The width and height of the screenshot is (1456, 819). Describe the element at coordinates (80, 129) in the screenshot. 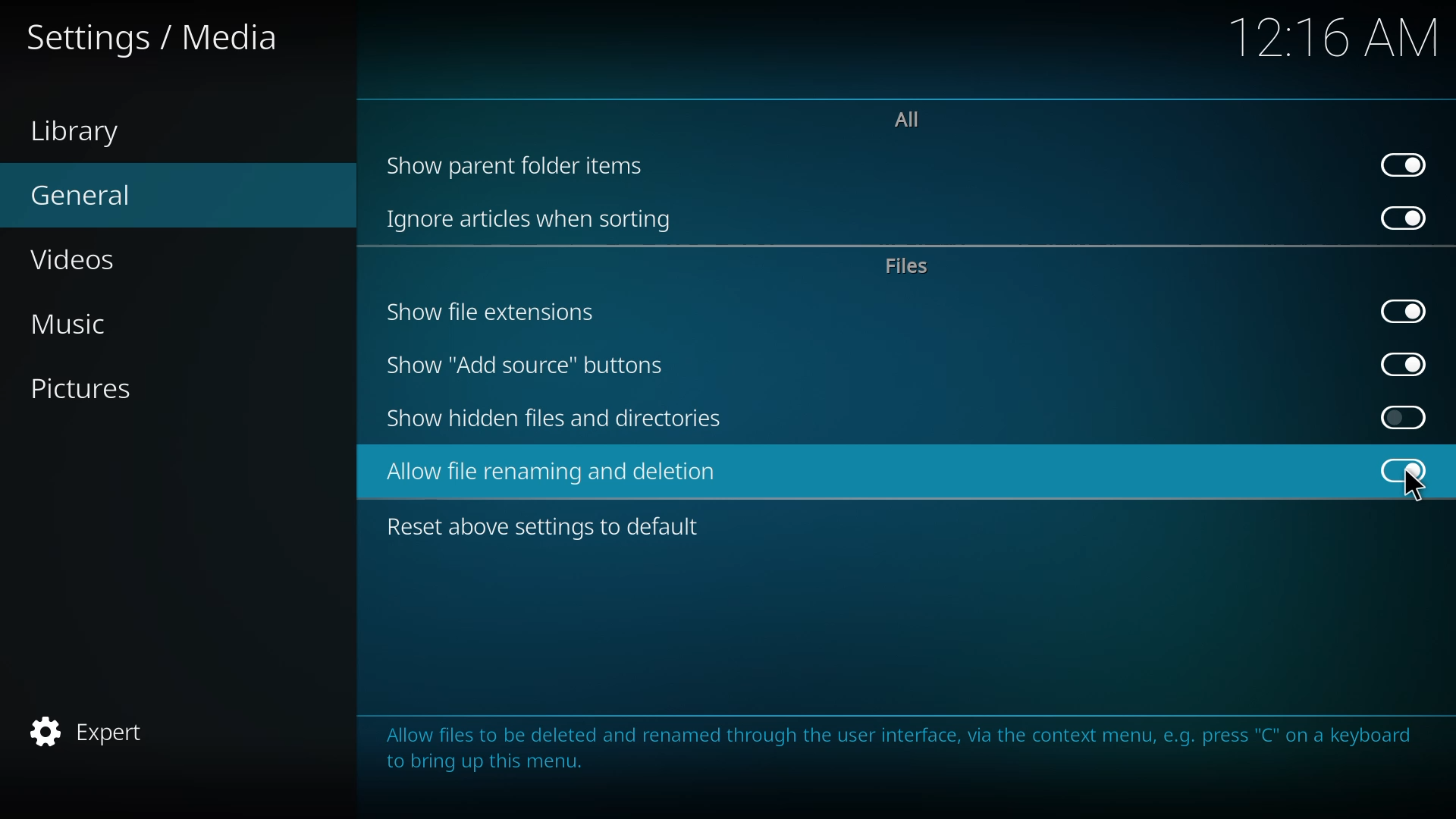

I see `library` at that location.